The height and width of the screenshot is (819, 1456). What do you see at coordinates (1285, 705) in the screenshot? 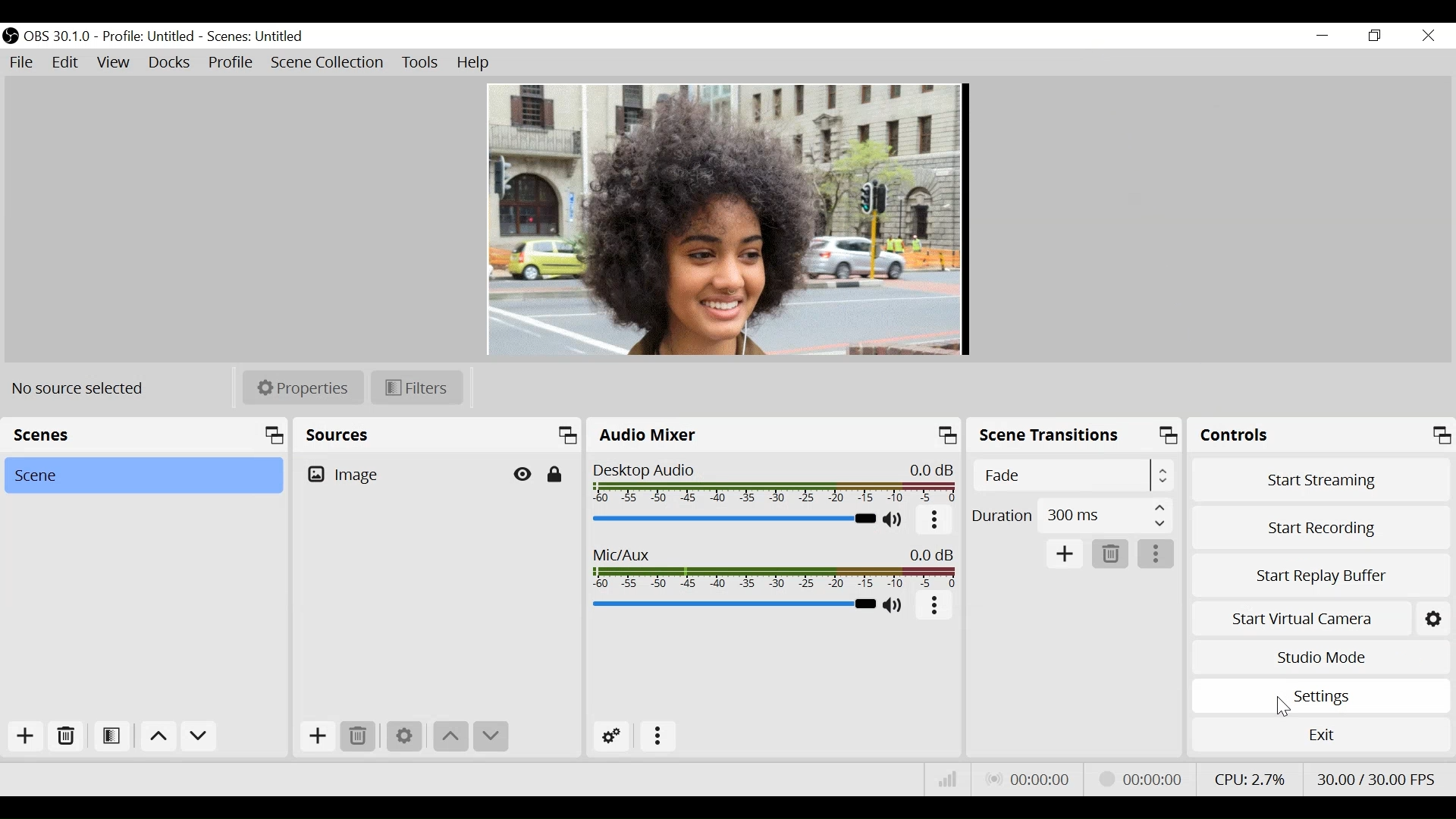
I see `Cursor` at bounding box center [1285, 705].